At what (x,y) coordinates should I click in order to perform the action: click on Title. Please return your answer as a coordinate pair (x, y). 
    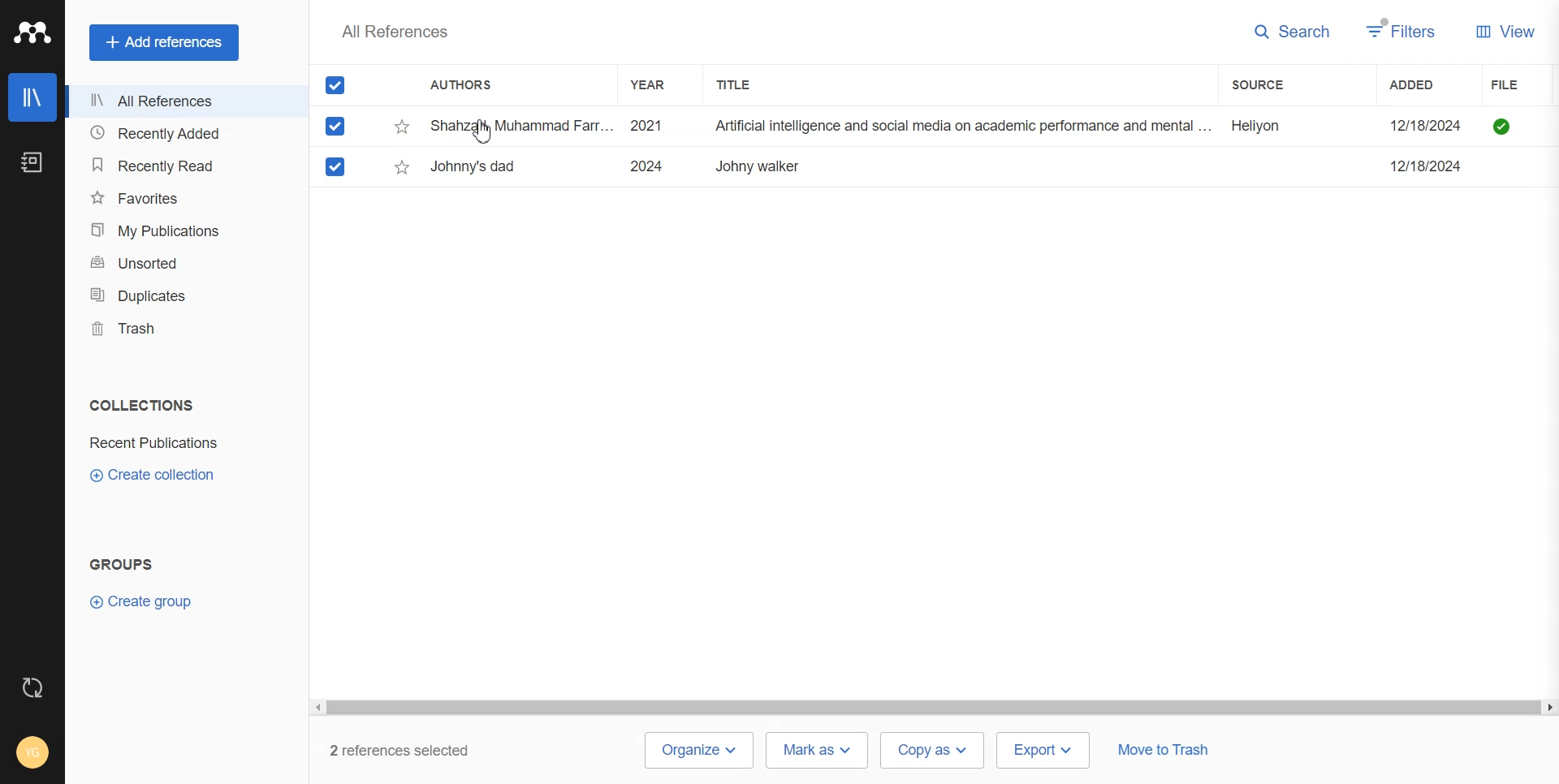
    Looking at the image, I should click on (748, 84).